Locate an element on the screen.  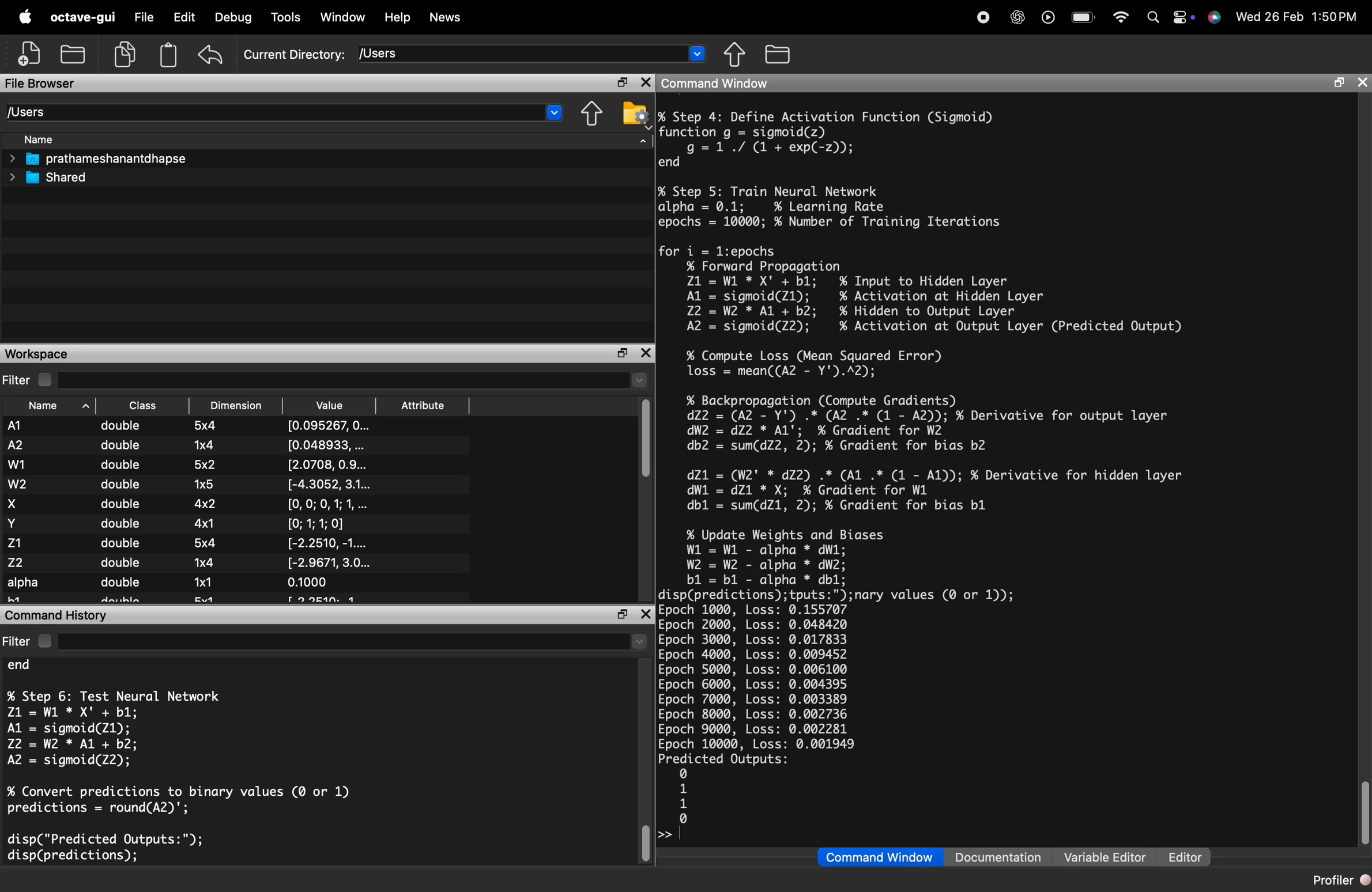
[0.048933, ... is located at coordinates (327, 445).